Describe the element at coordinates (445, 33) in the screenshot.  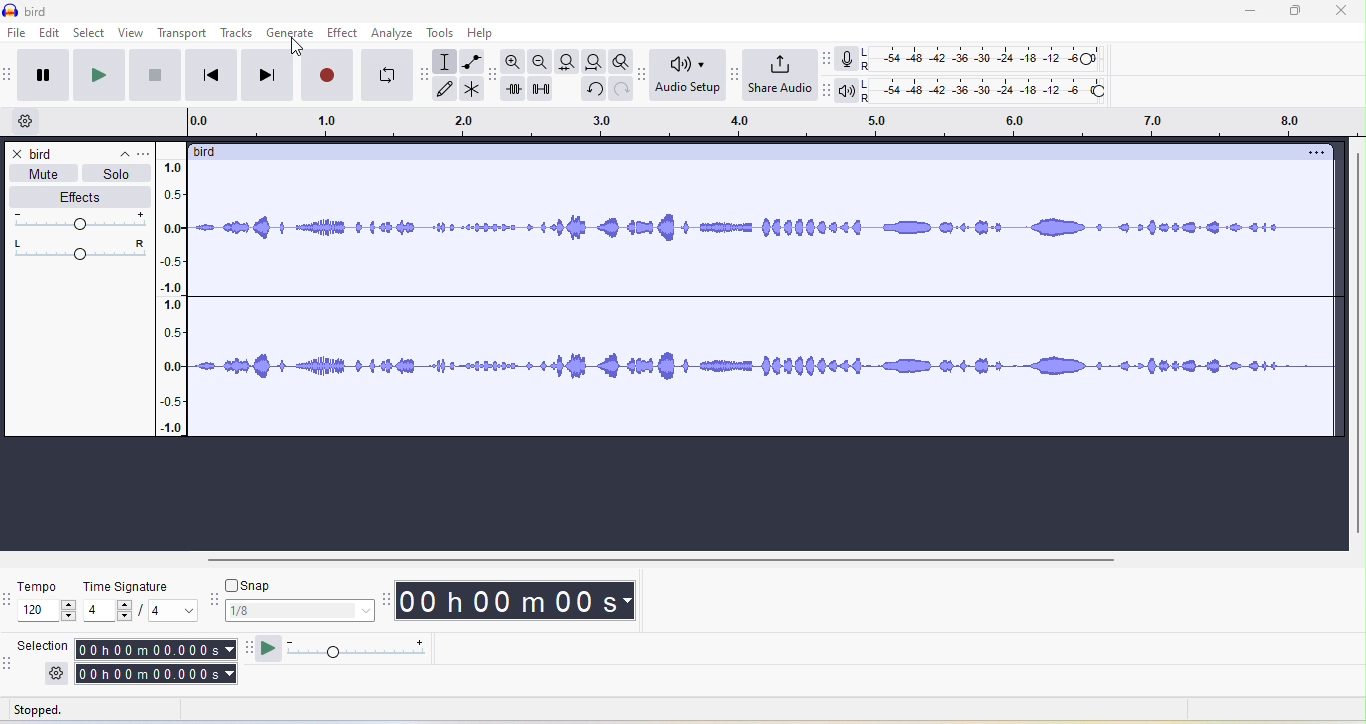
I see `tools` at that location.